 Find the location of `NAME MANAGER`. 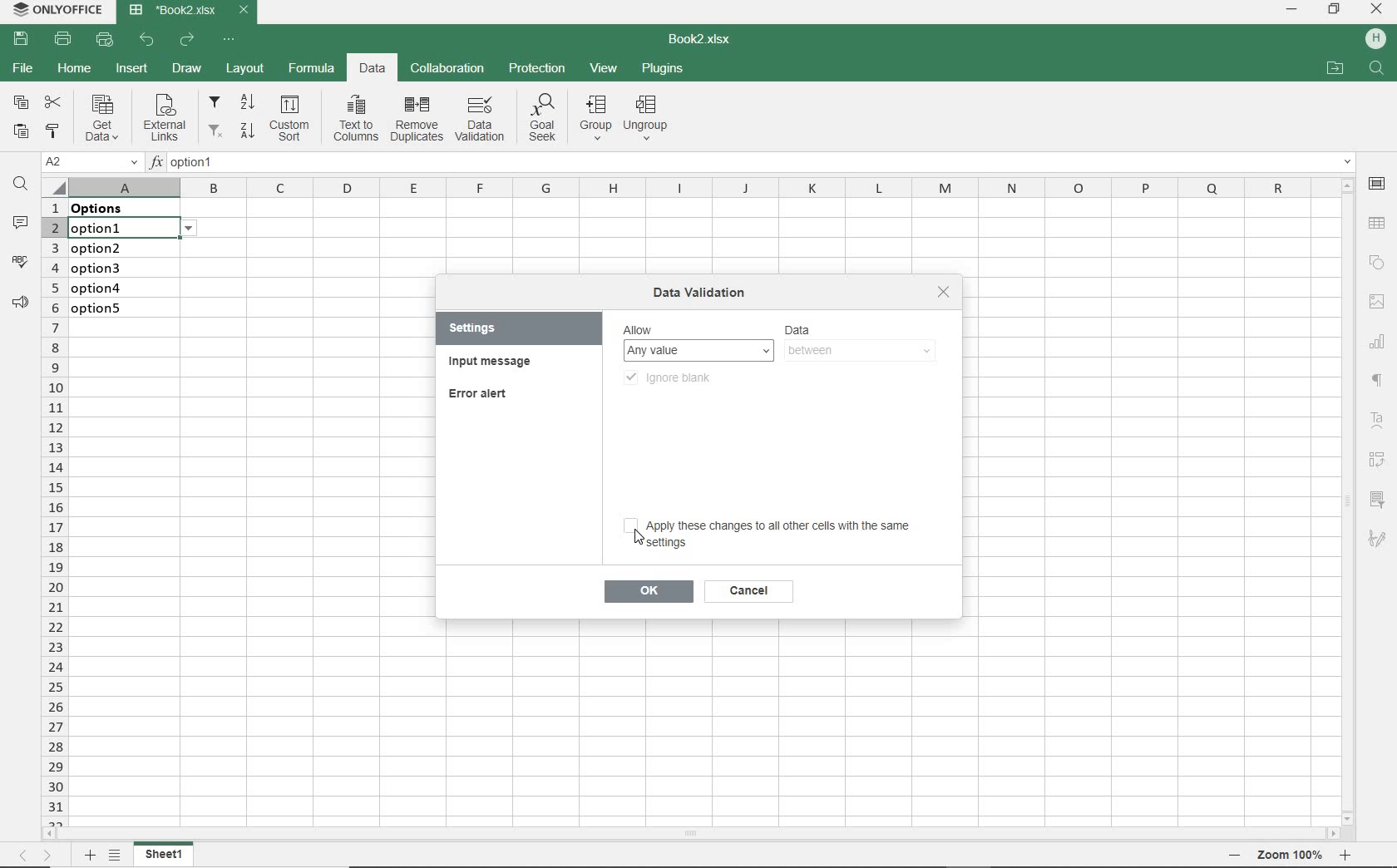

NAME MANAGER is located at coordinates (91, 162).